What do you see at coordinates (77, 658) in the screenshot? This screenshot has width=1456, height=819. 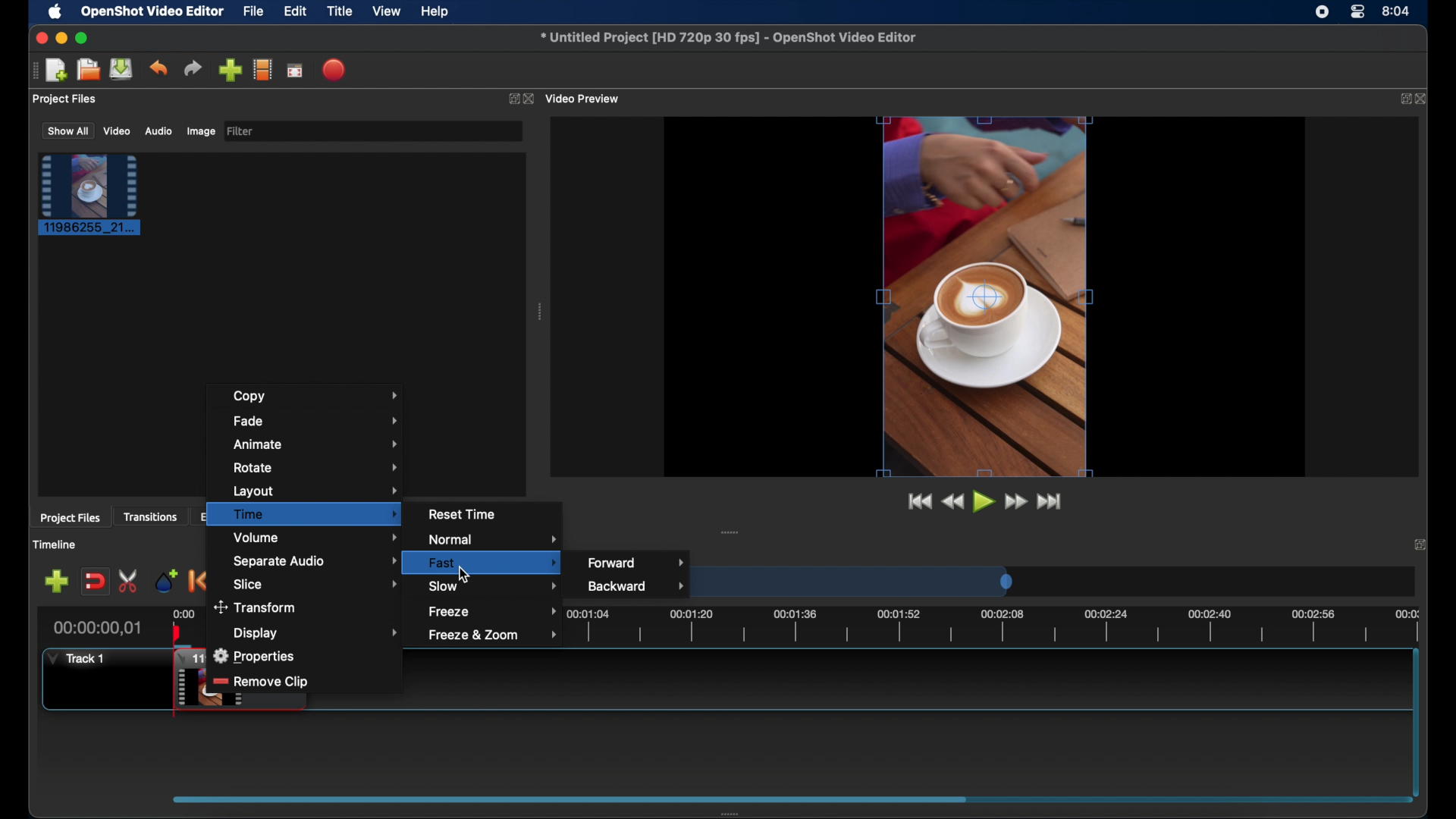 I see `track1` at bounding box center [77, 658].